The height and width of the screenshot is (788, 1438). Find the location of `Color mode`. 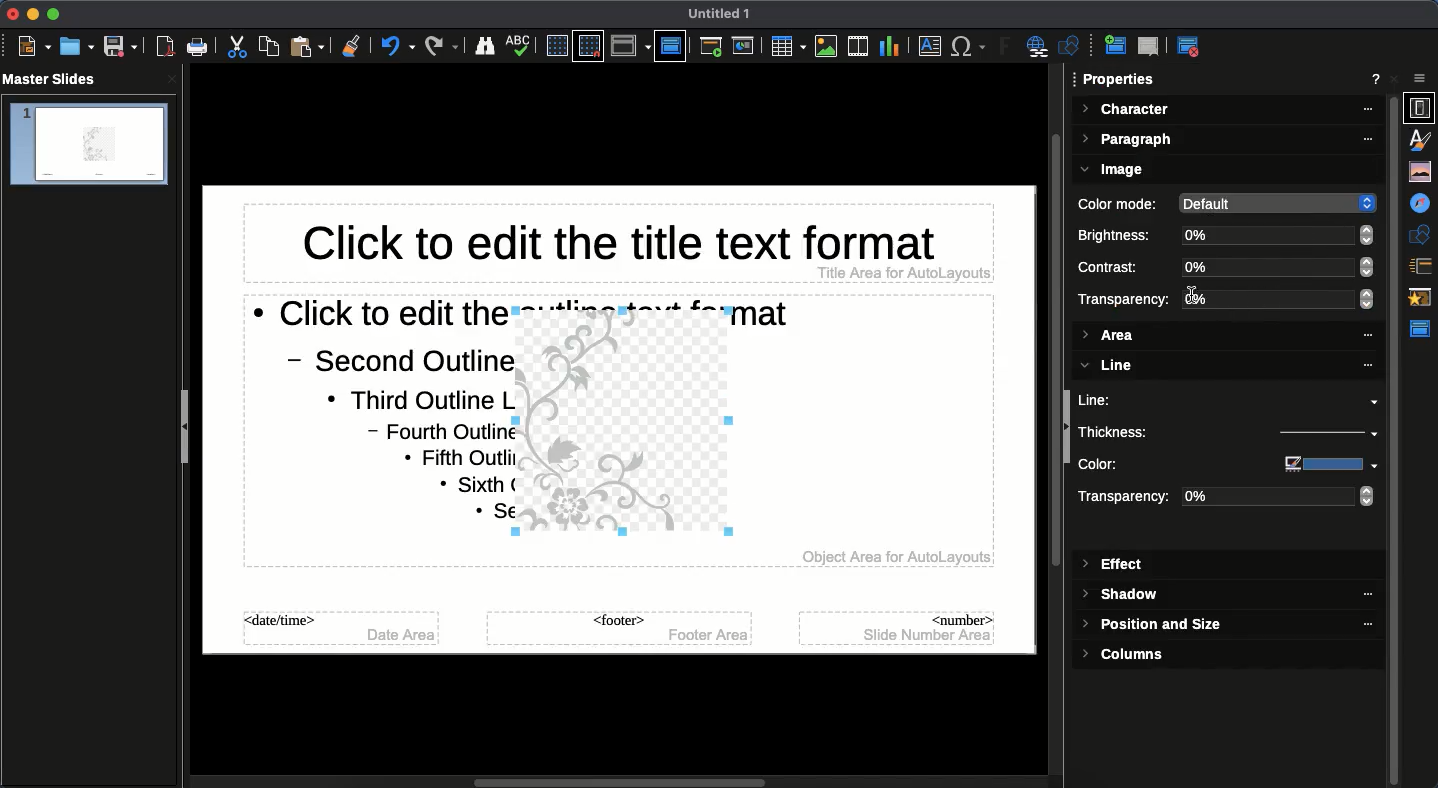

Color mode is located at coordinates (1121, 204).